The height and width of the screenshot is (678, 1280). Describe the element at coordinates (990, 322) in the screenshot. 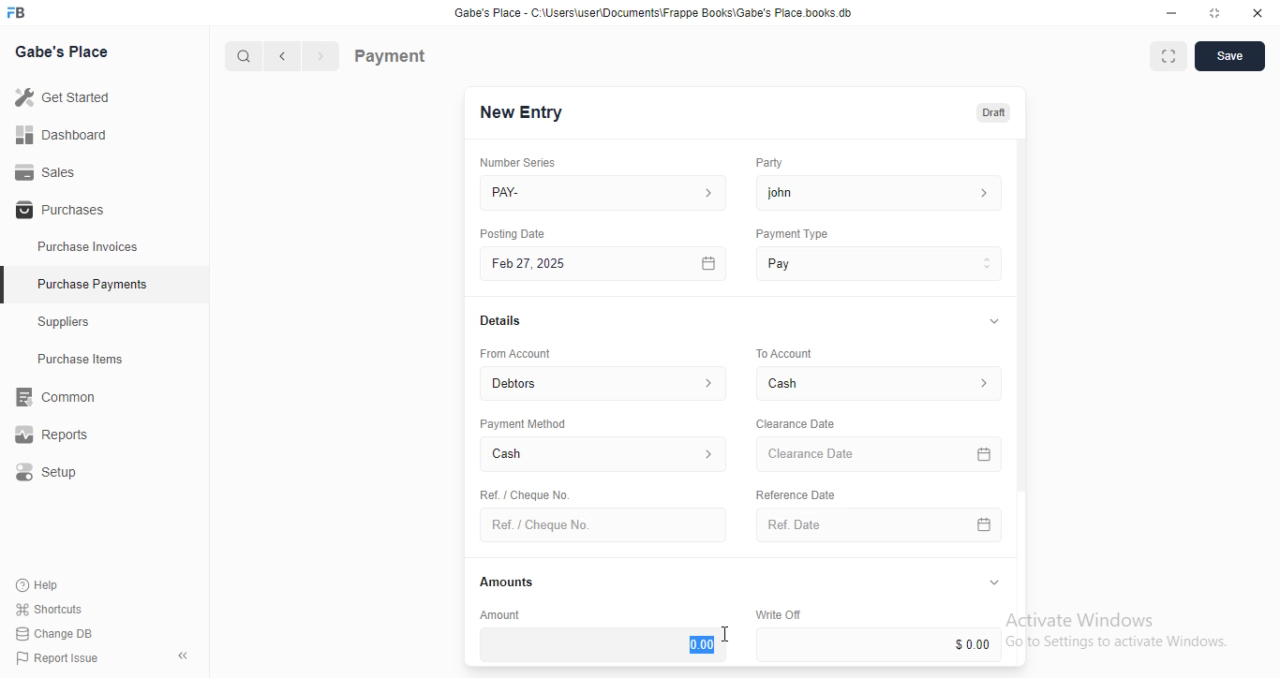

I see `expand/collapse` at that location.